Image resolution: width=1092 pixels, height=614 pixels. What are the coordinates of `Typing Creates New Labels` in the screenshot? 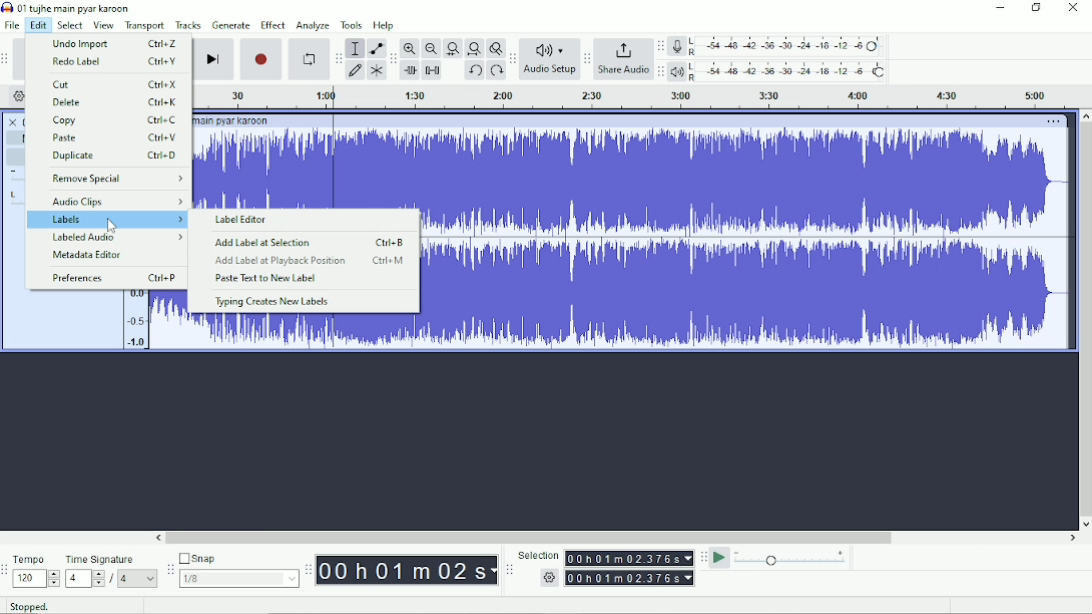 It's located at (272, 303).